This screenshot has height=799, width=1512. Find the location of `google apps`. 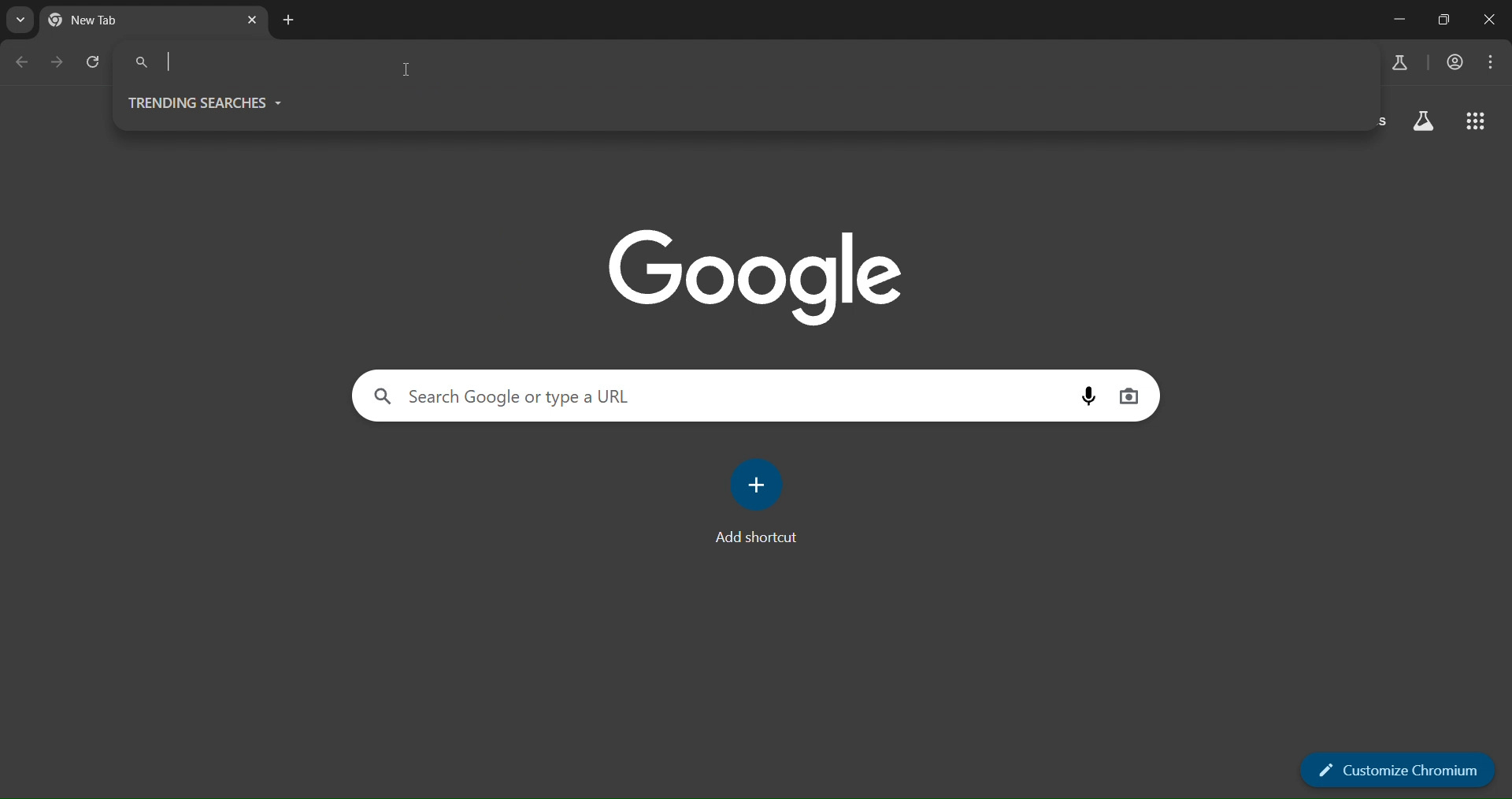

google apps is located at coordinates (1477, 120).